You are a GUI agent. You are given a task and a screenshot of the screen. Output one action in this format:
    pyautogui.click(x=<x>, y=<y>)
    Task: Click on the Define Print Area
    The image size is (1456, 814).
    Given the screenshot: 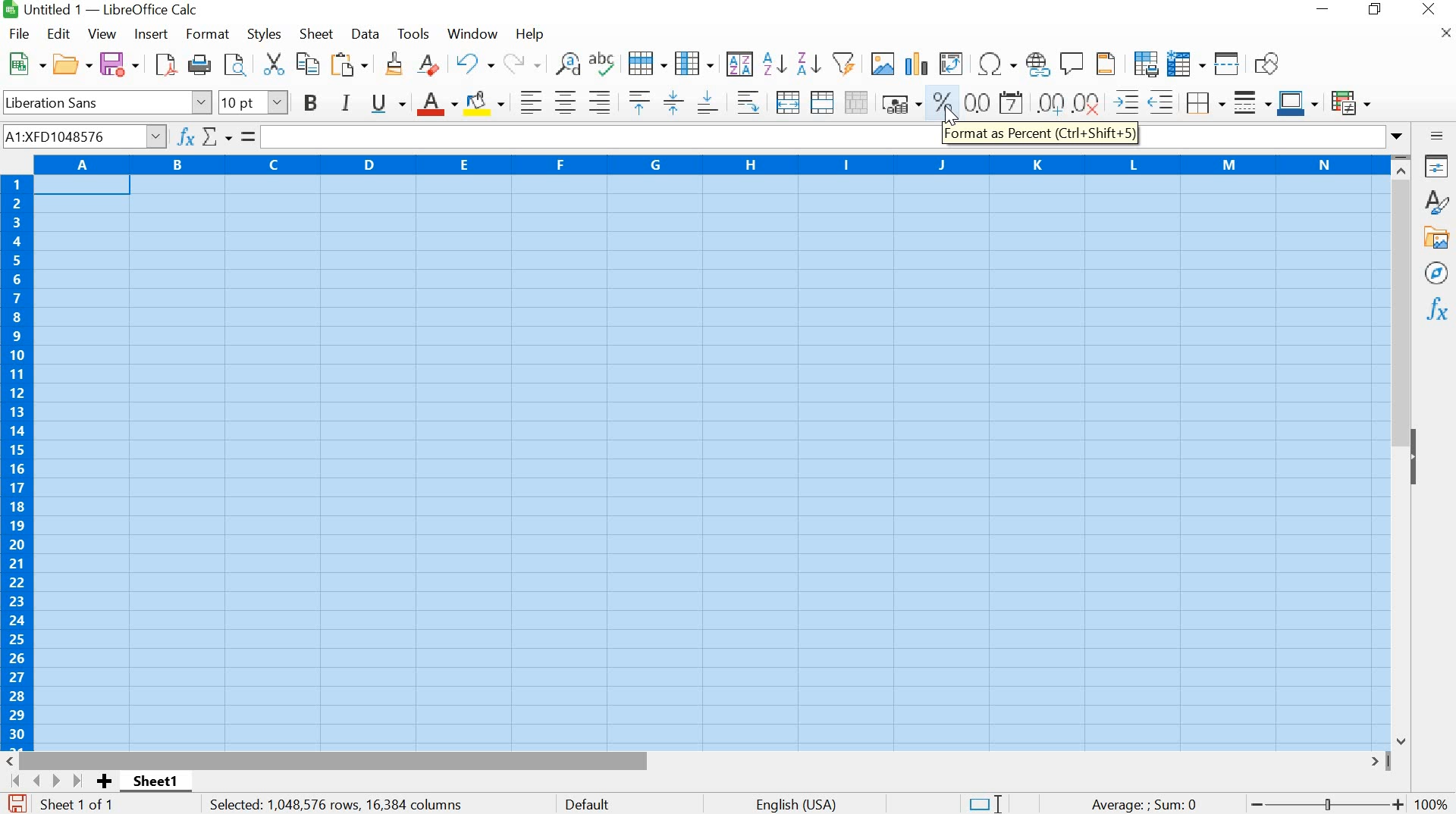 What is the action you would take?
    pyautogui.click(x=1145, y=64)
    